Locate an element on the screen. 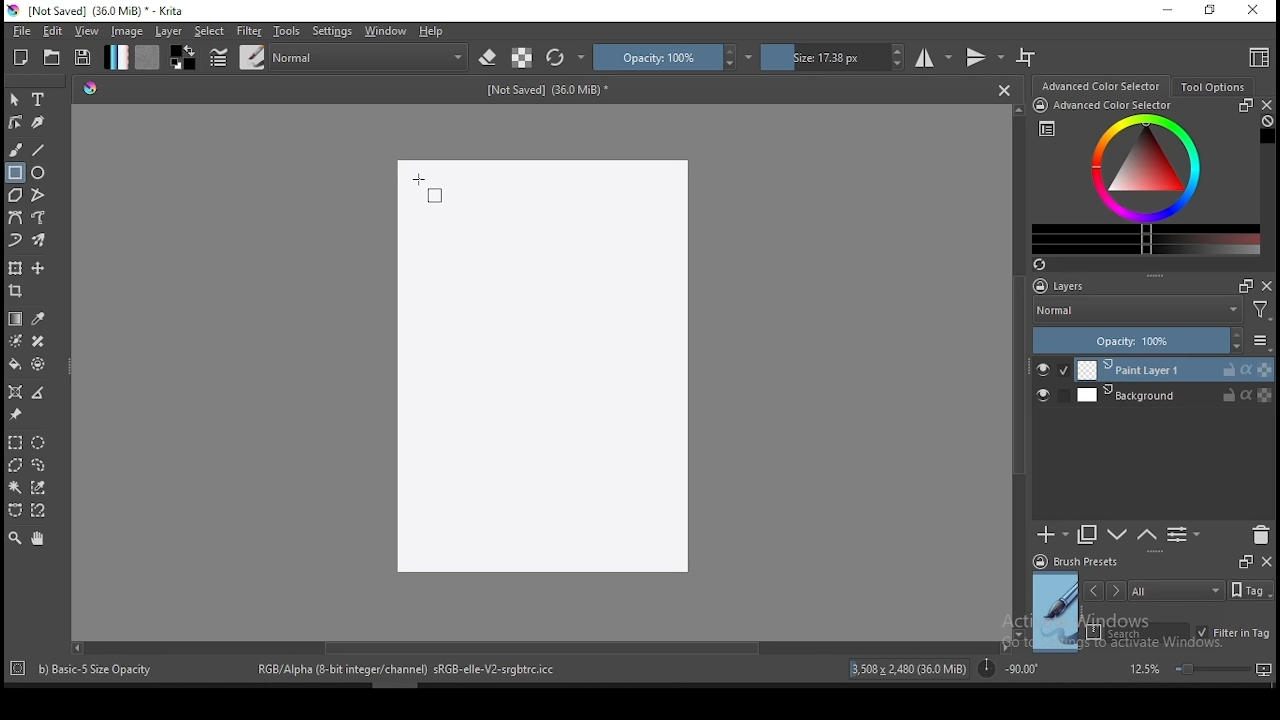 This screenshot has width=1280, height=720. contiguous selection tool is located at coordinates (16, 489).